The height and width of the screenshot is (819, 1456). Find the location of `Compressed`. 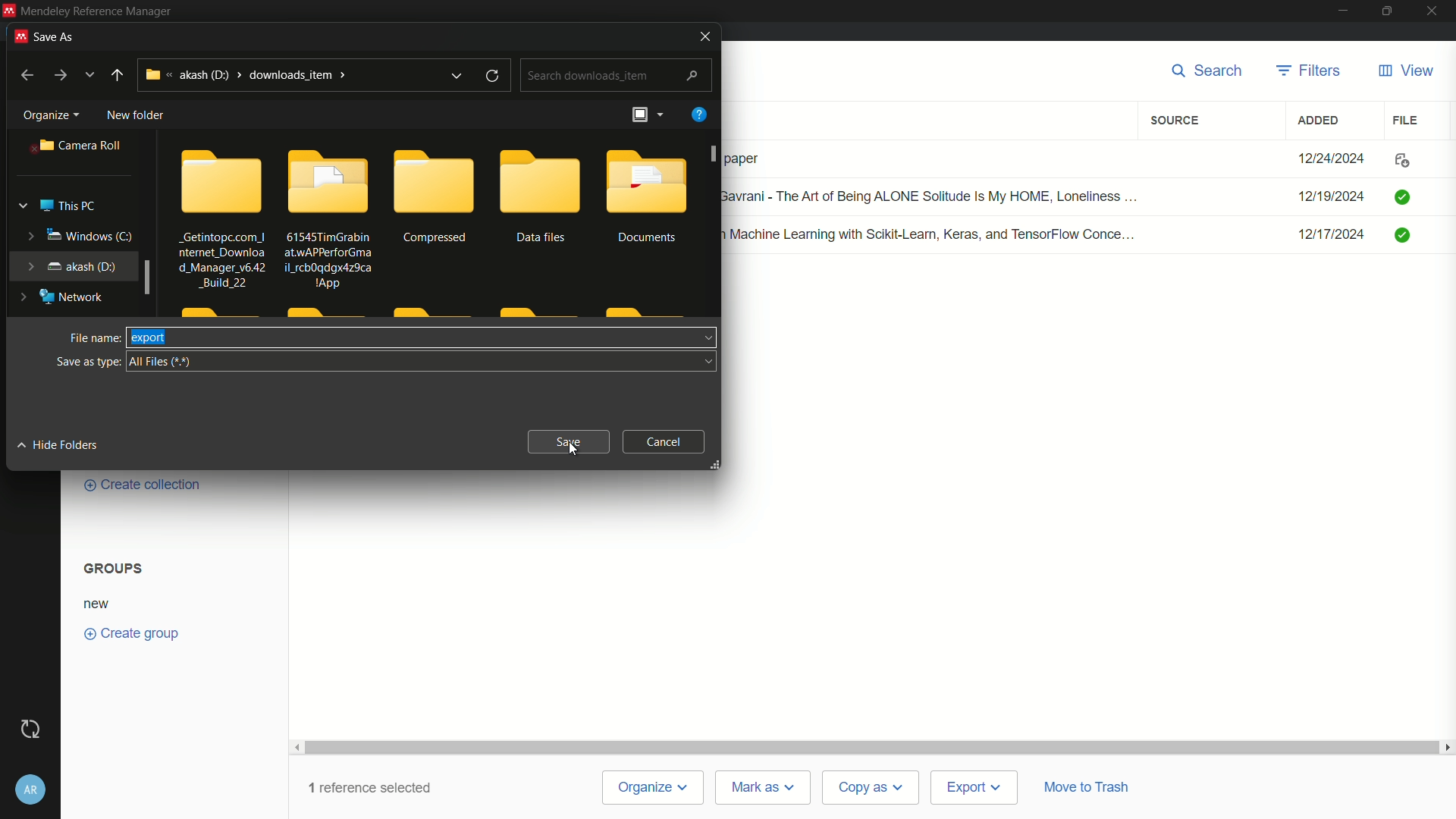

Compressed is located at coordinates (437, 239).